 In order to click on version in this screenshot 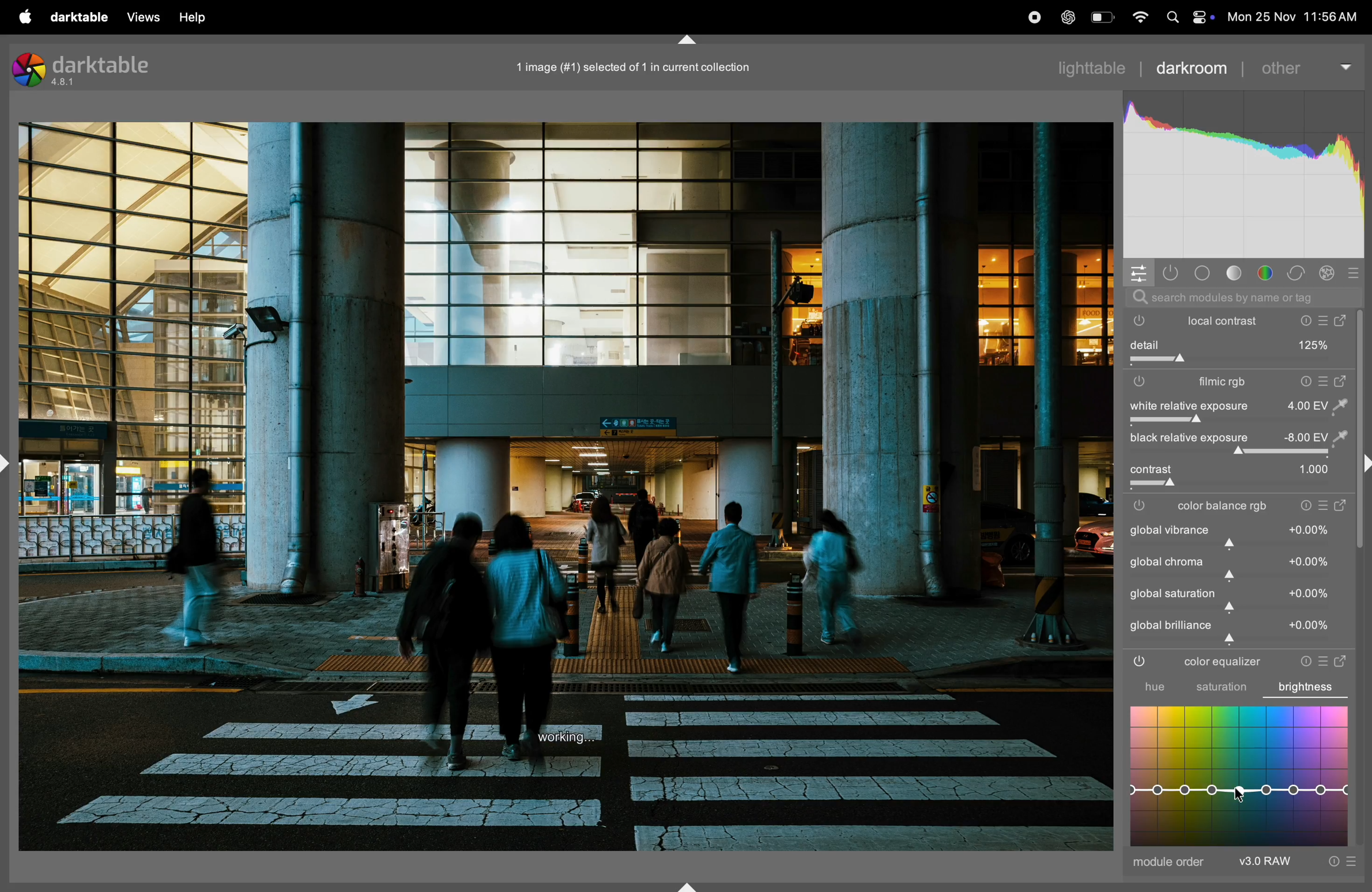, I will do `click(66, 84)`.